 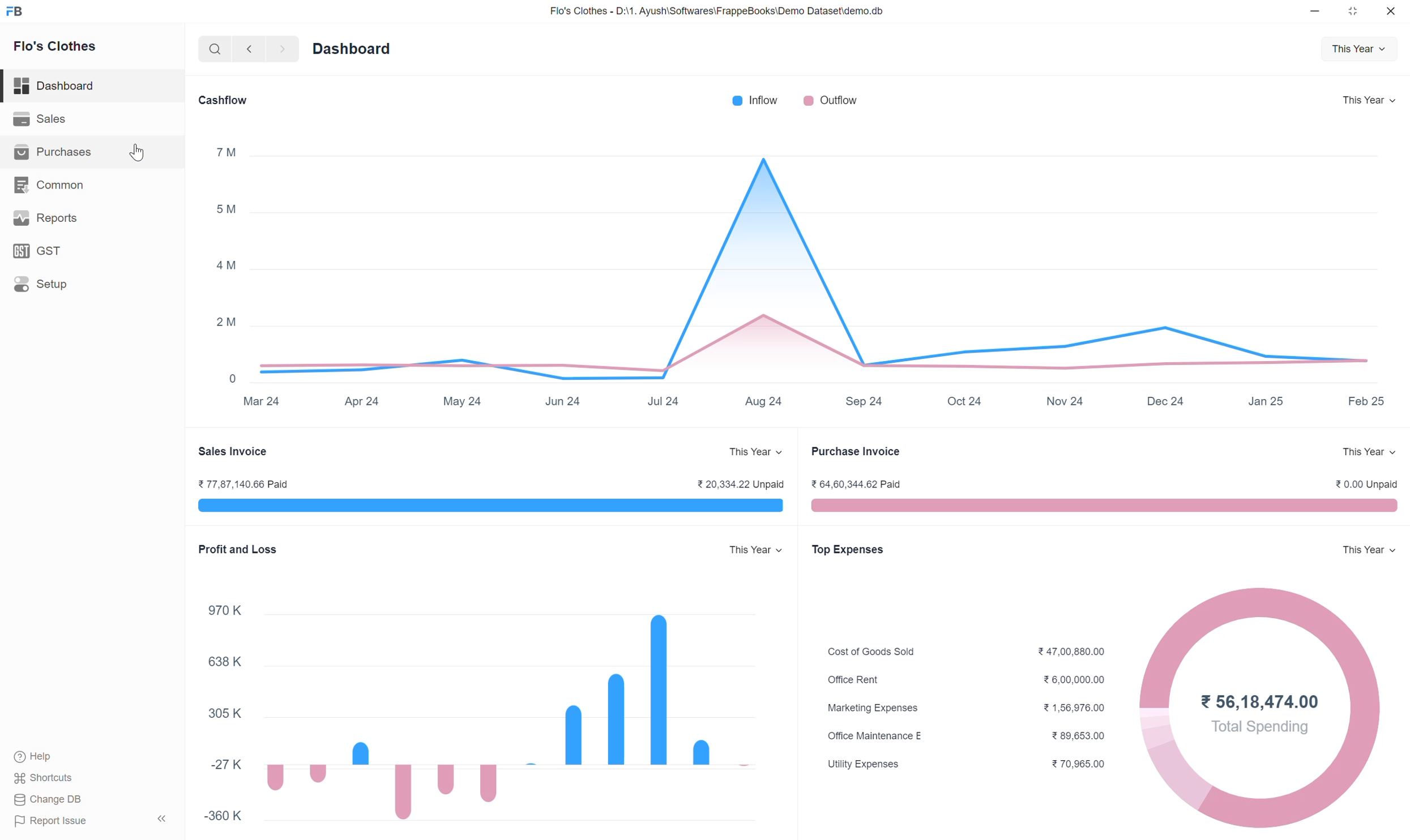 What do you see at coordinates (491, 505) in the screenshot?
I see `Sales invoice Paid and Unpaid range` at bounding box center [491, 505].